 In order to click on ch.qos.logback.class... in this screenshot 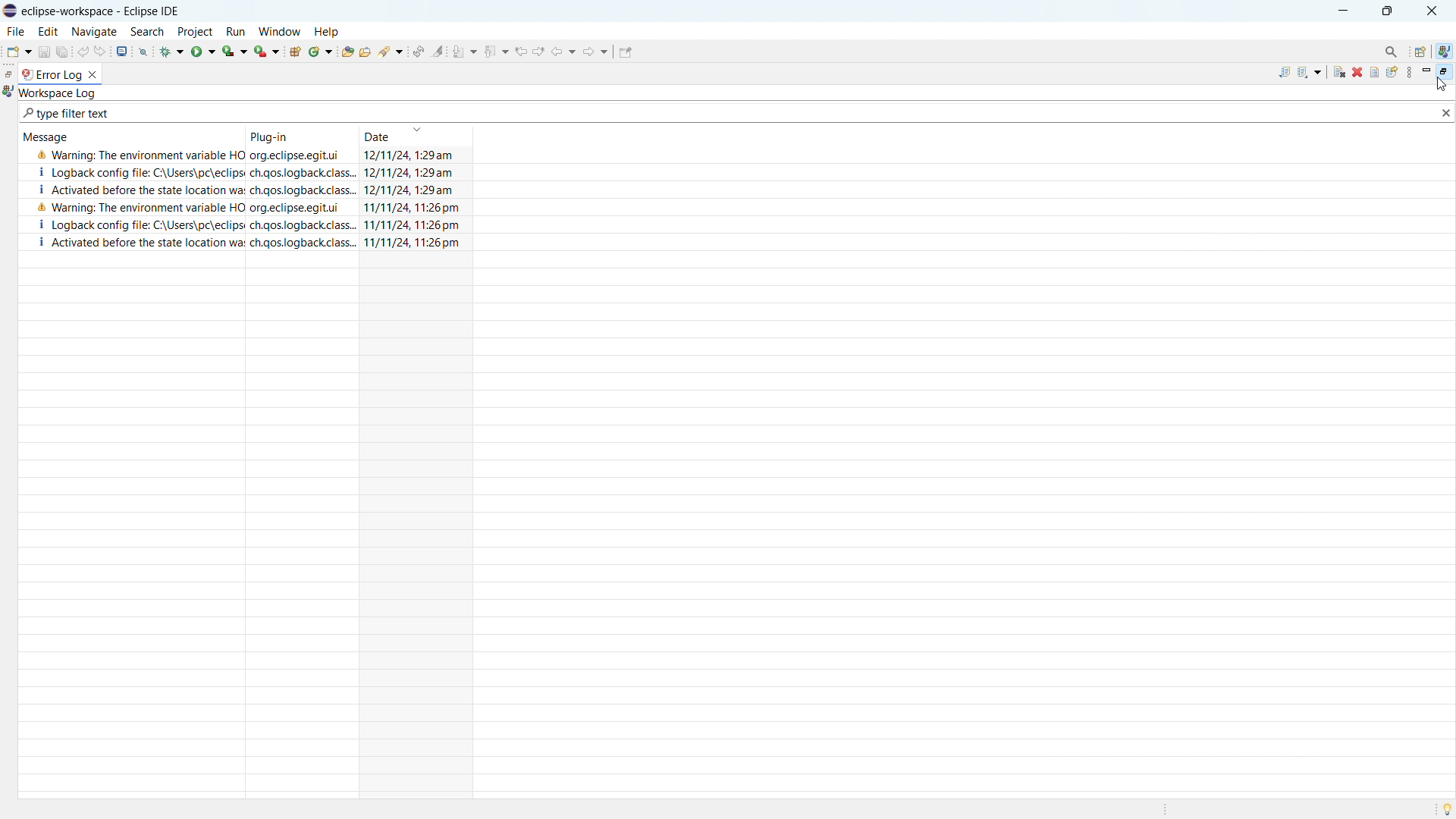, I will do `click(303, 241)`.